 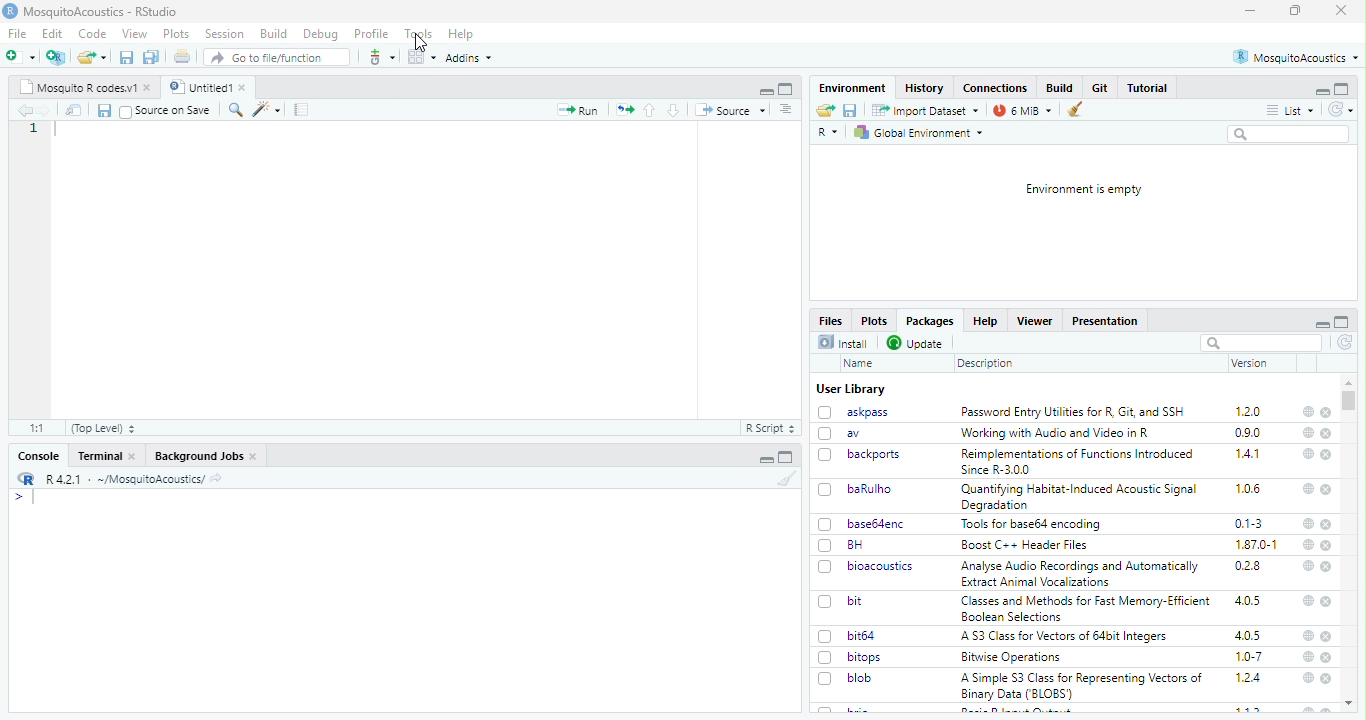 I want to click on close, so click(x=1328, y=567).